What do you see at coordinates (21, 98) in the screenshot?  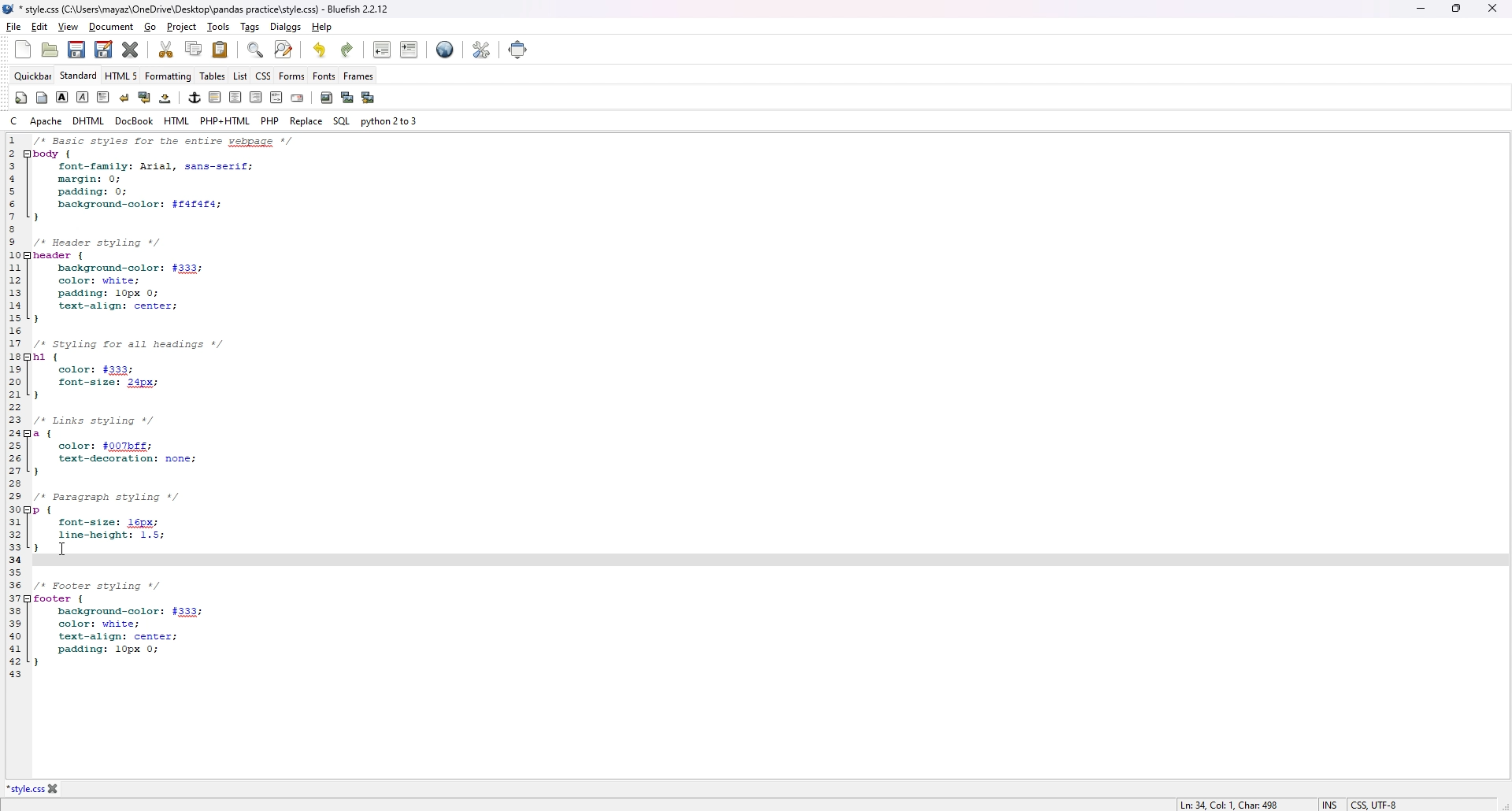 I see `quickstart` at bounding box center [21, 98].